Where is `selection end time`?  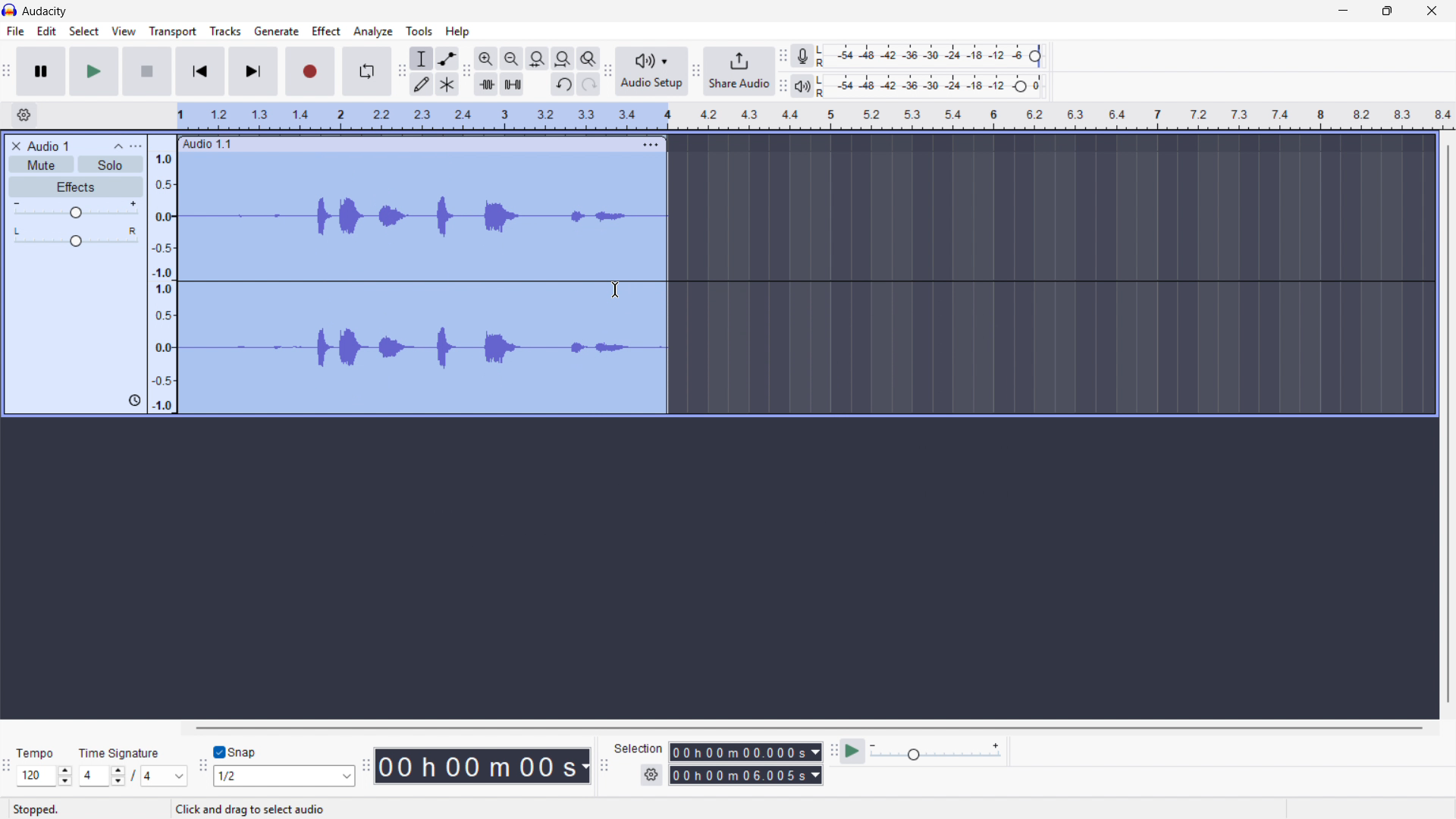
selection end time is located at coordinates (745, 776).